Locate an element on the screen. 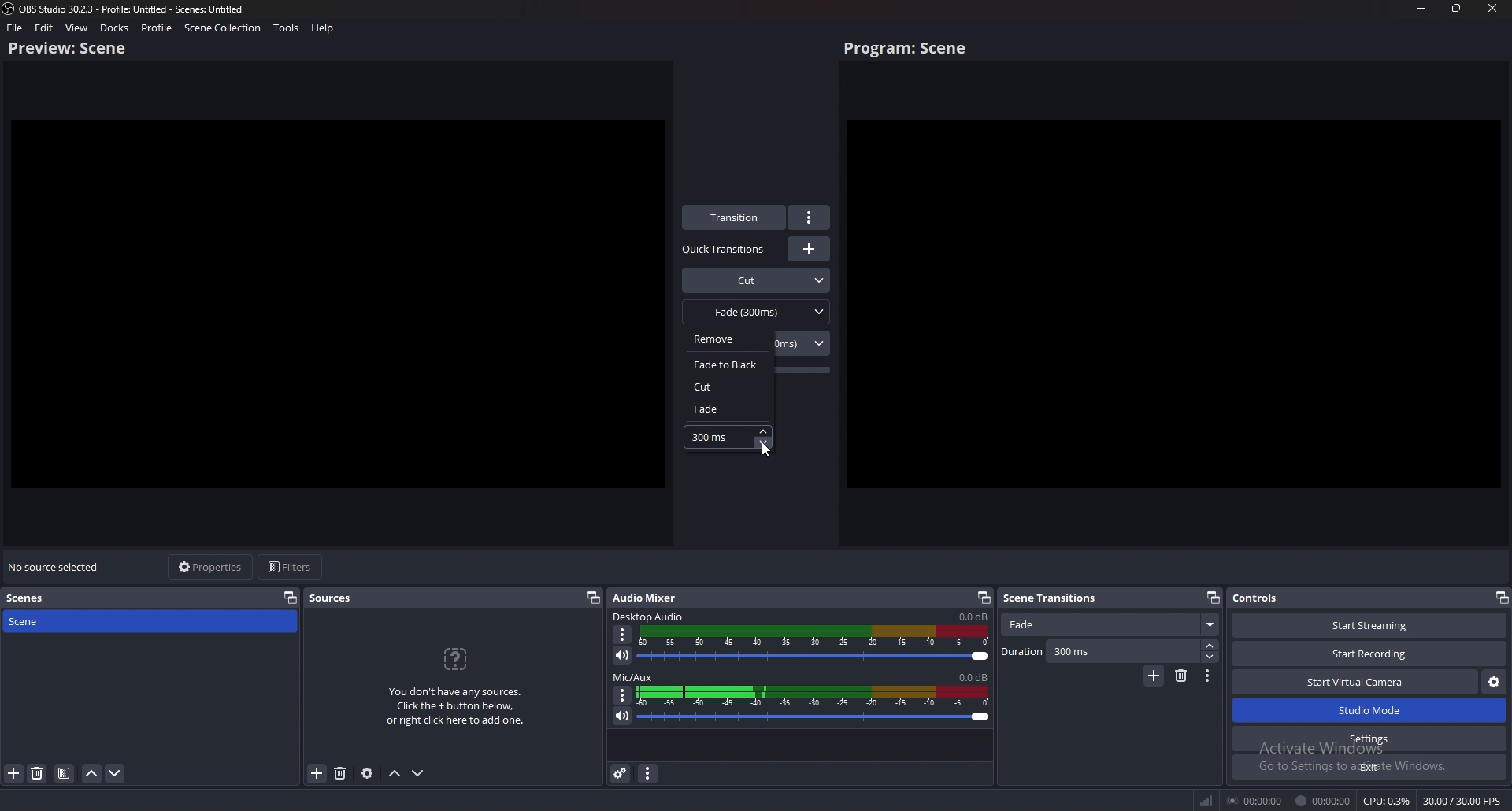  options is located at coordinates (810, 217).